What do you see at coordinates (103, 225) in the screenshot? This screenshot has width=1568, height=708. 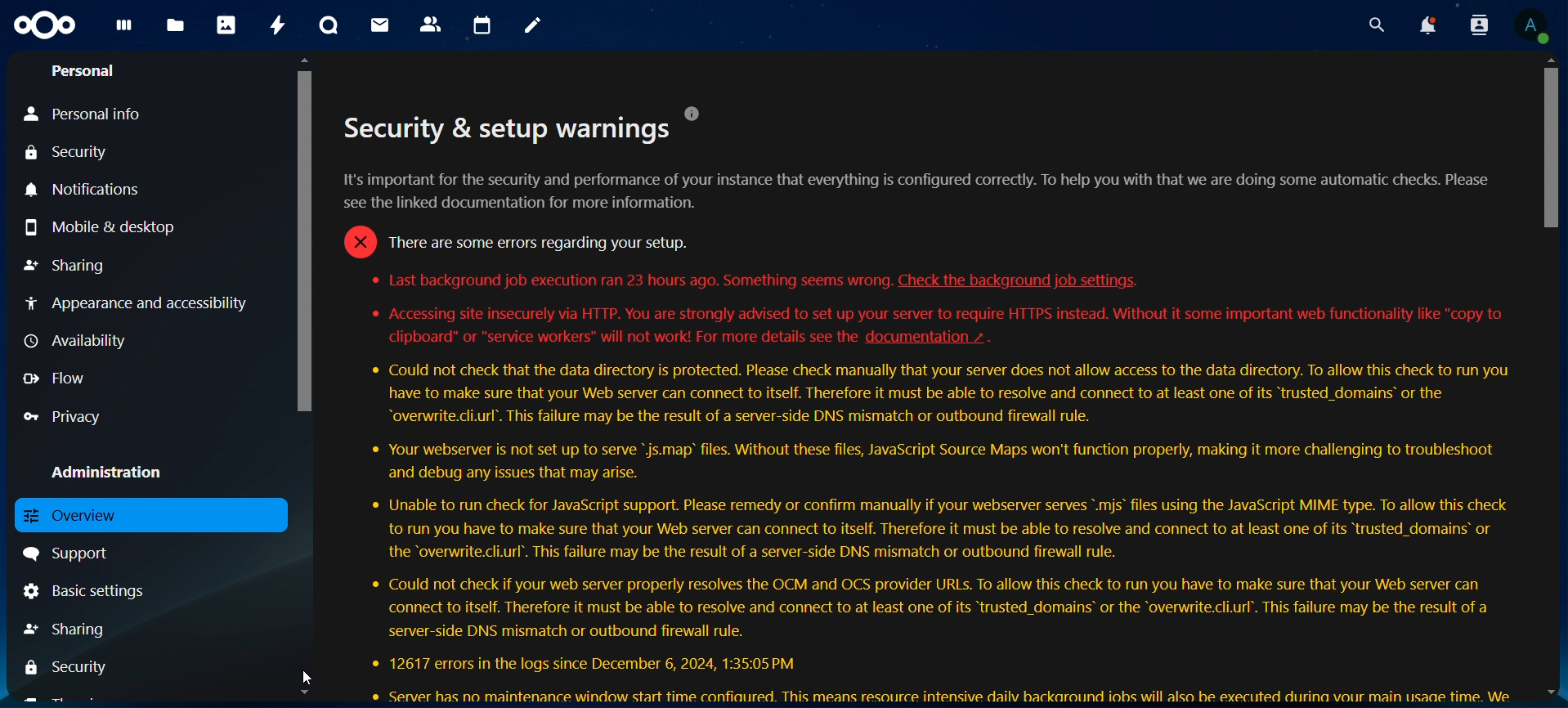 I see `mobile & desktop` at bounding box center [103, 225].